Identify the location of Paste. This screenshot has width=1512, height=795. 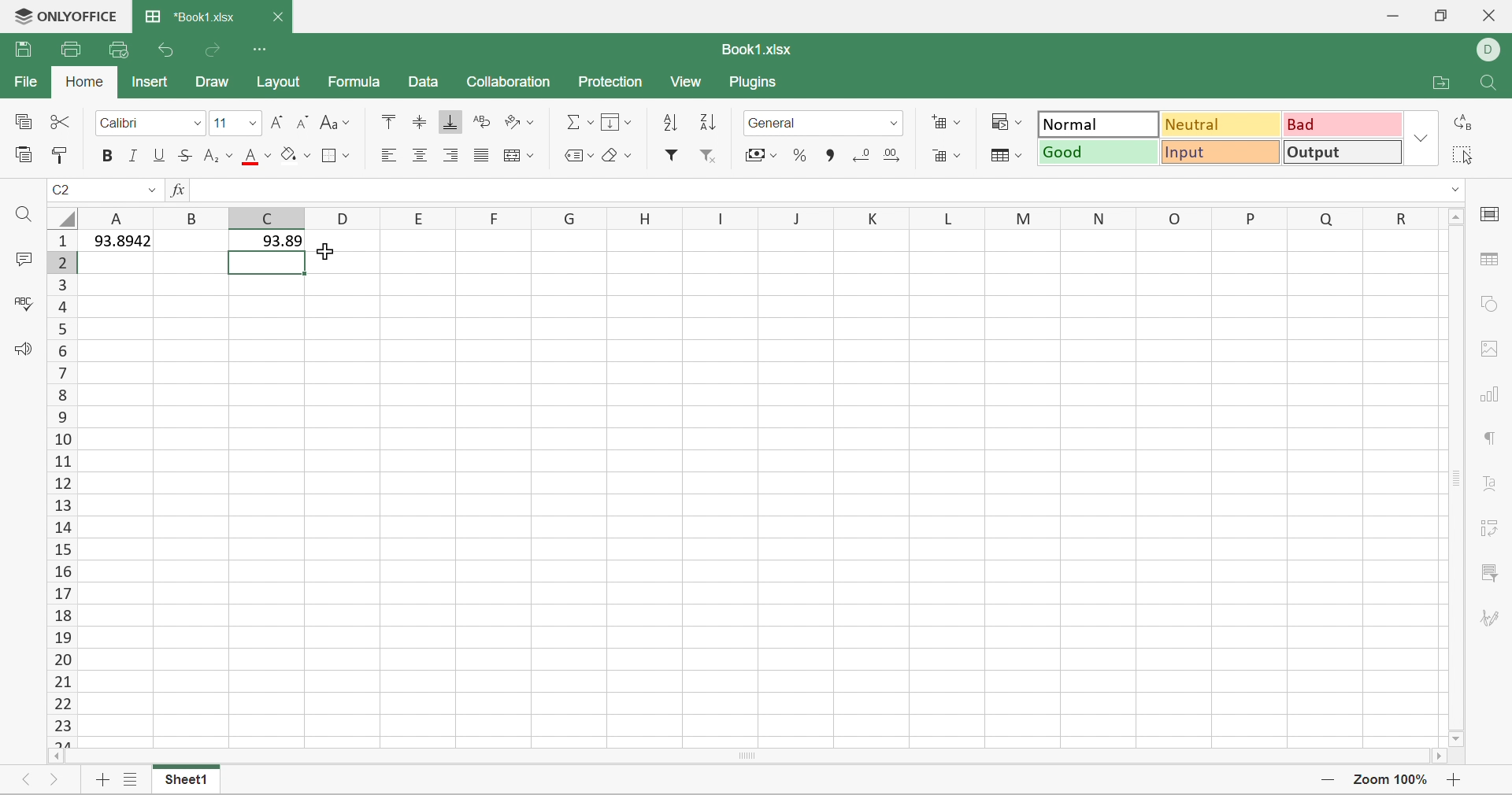
(22, 152).